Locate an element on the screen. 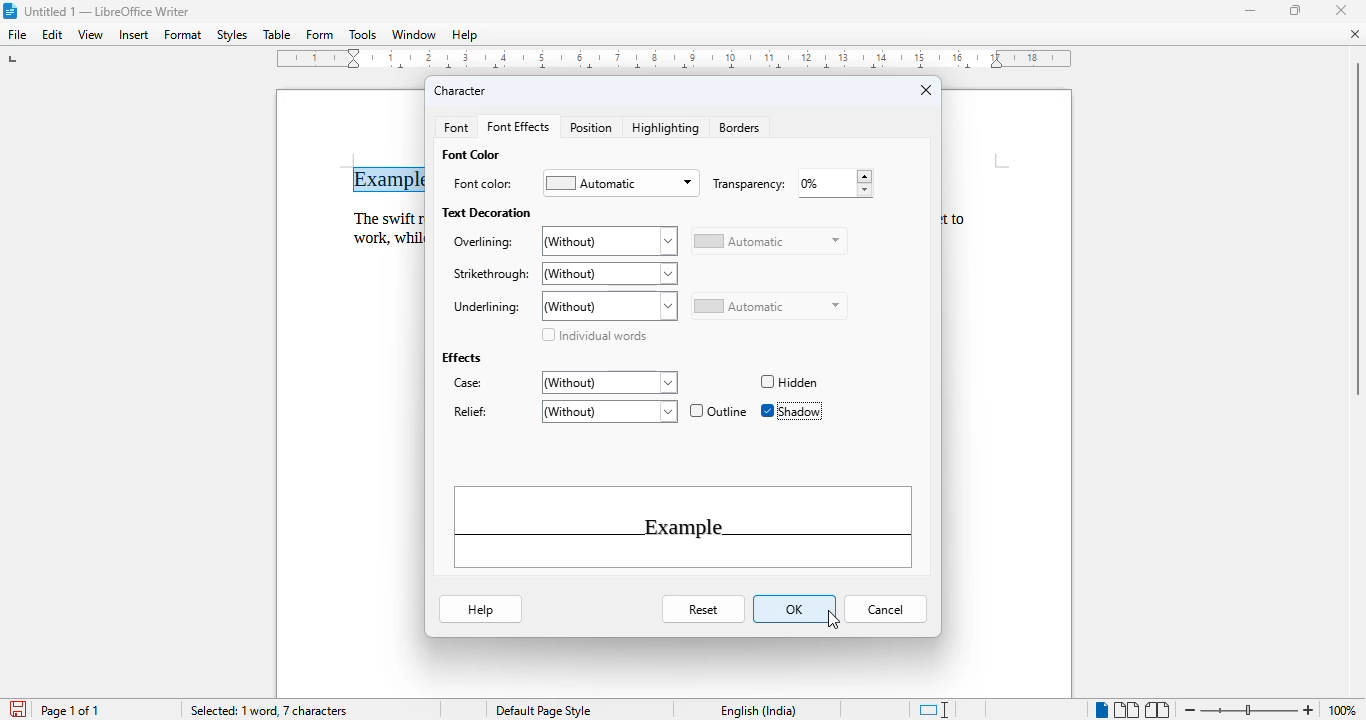  cancel is located at coordinates (885, 610).